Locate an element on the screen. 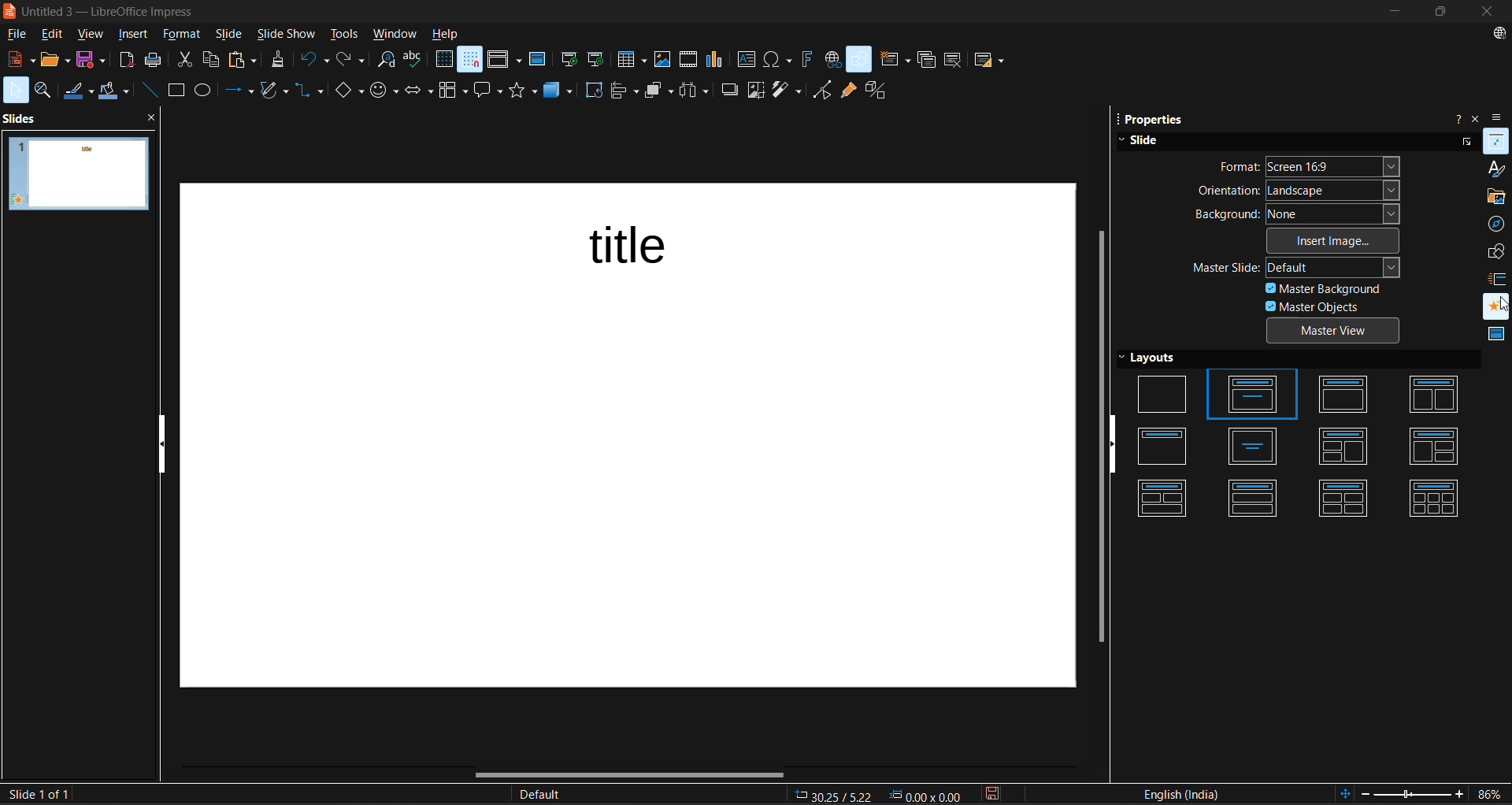  insert line is located at coordinates (151, 91).